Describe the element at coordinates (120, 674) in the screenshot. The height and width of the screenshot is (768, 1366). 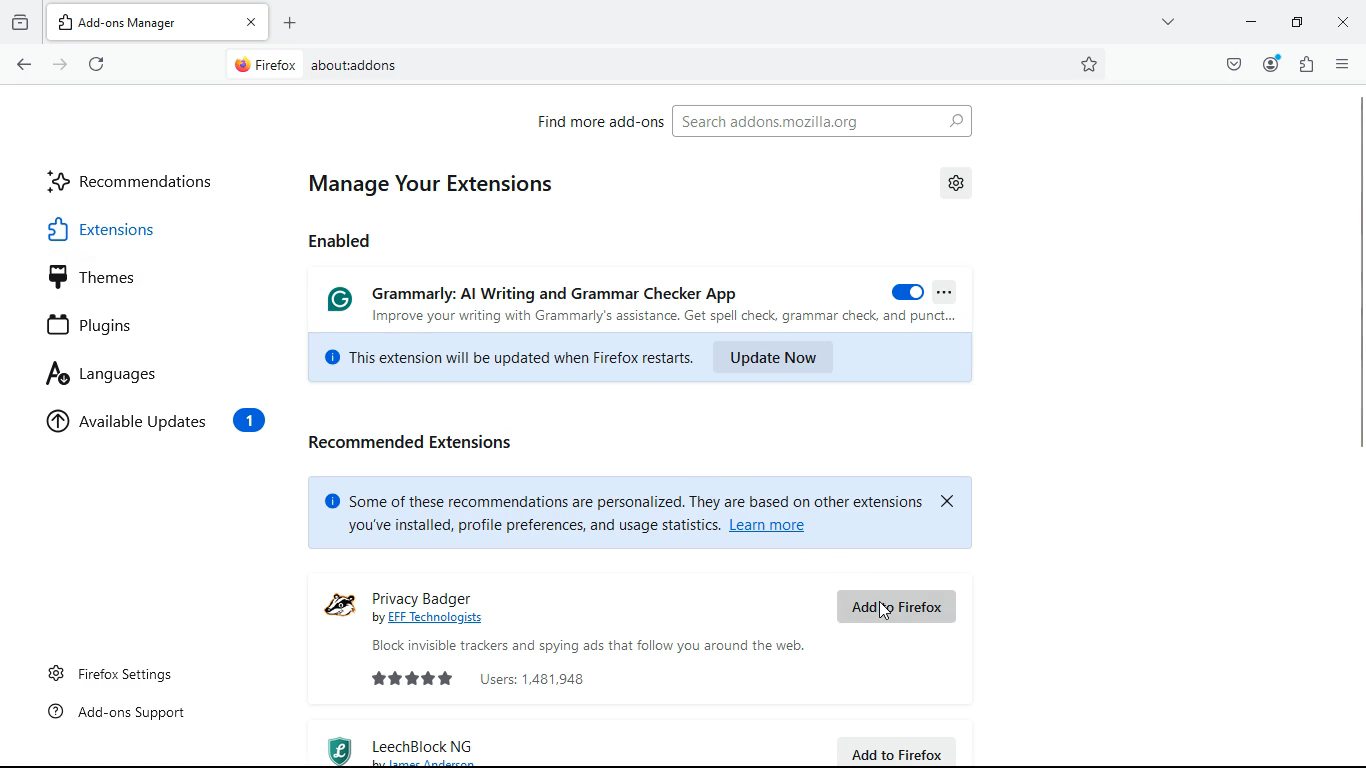
I see `Firefox settings` at that location.